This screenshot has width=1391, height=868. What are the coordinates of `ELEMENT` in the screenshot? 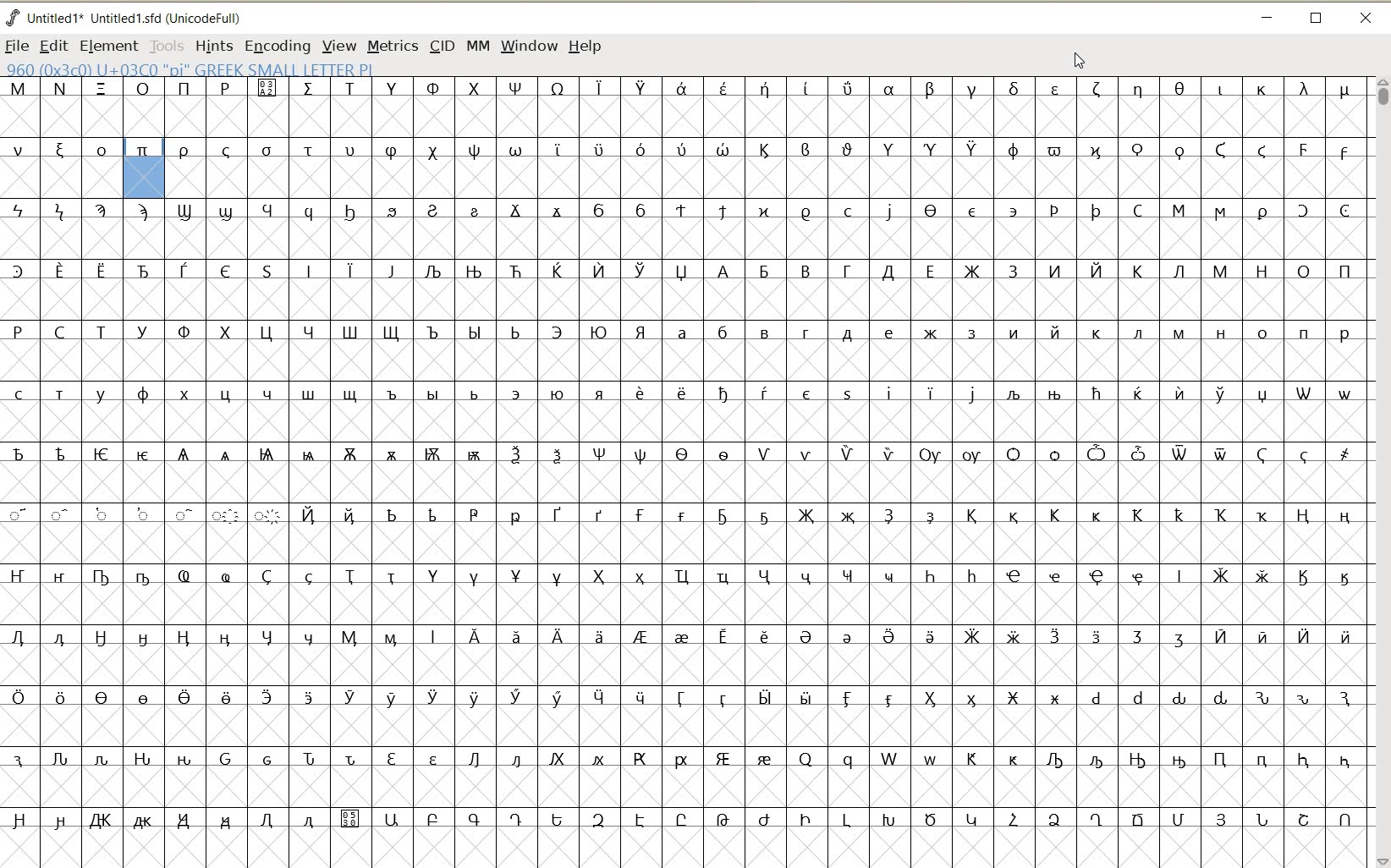 It's located at (108, 46).